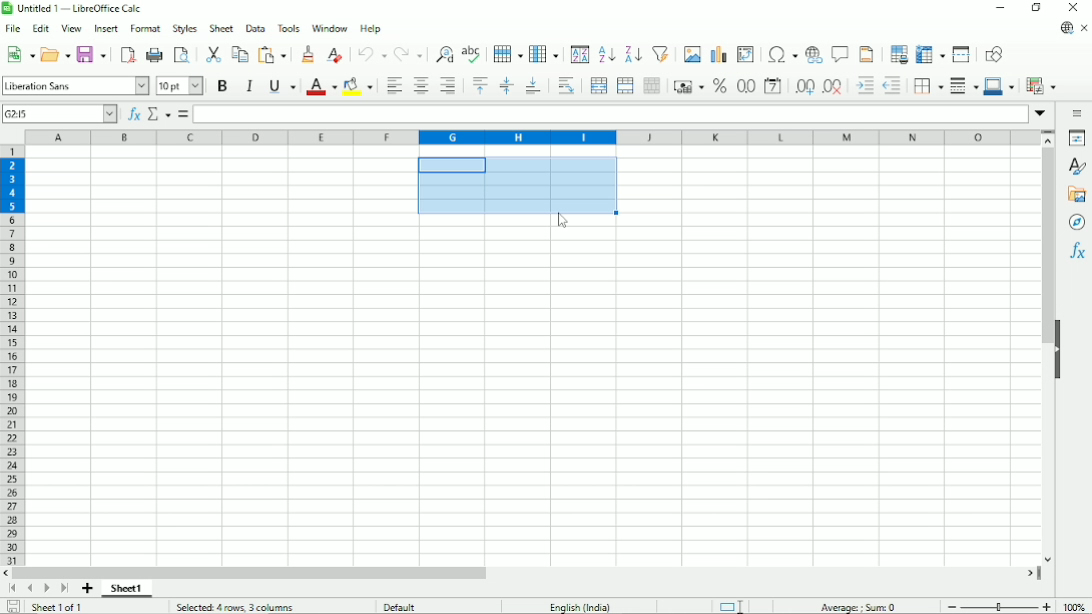 The width and height of the screenshot is (1092, 614). What do you see at coordinates (358, 86) in the screenshot?
I see `Background color` at bounding box center [358, 86].